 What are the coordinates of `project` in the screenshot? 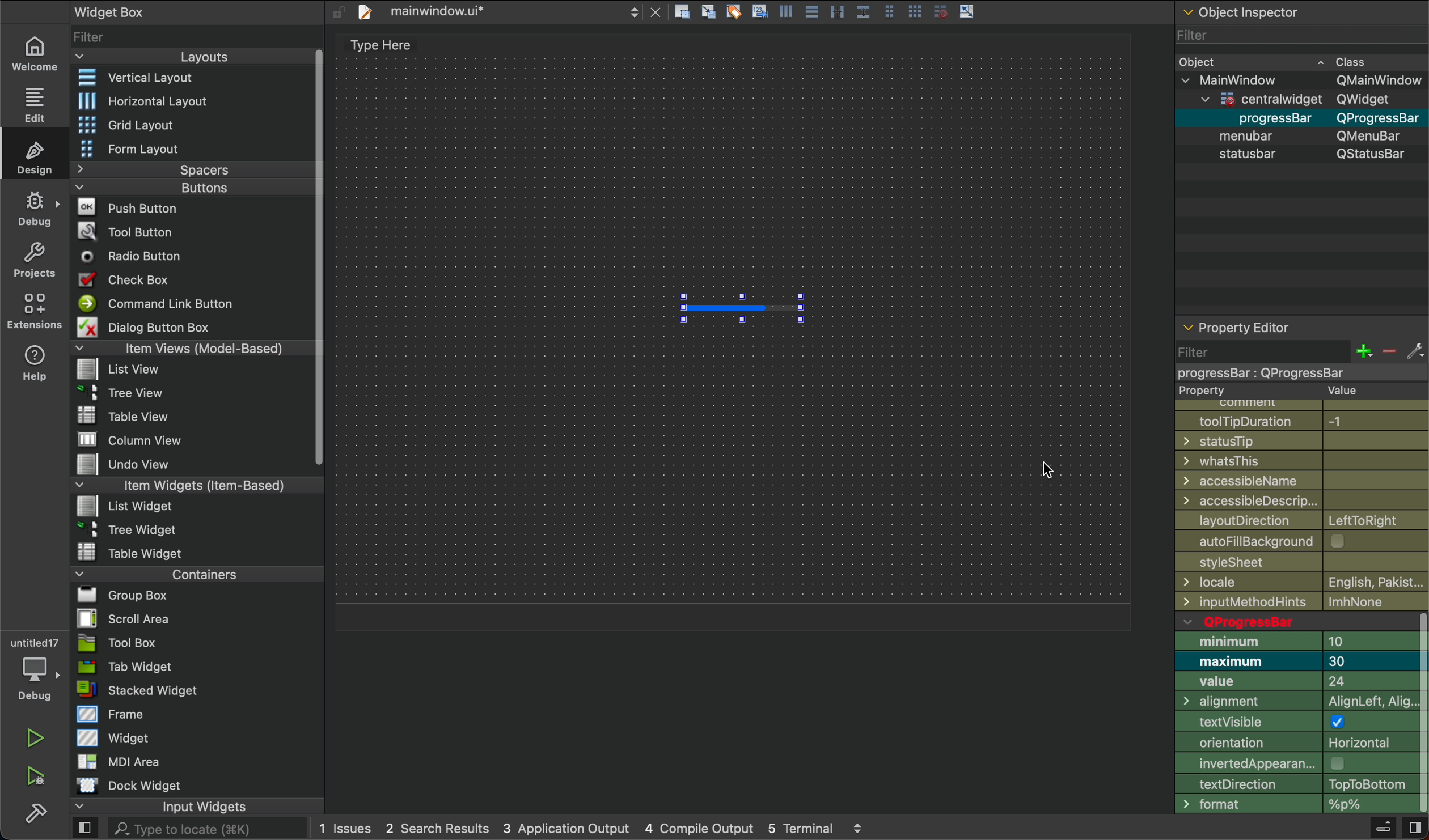 It's located at (36, 260).